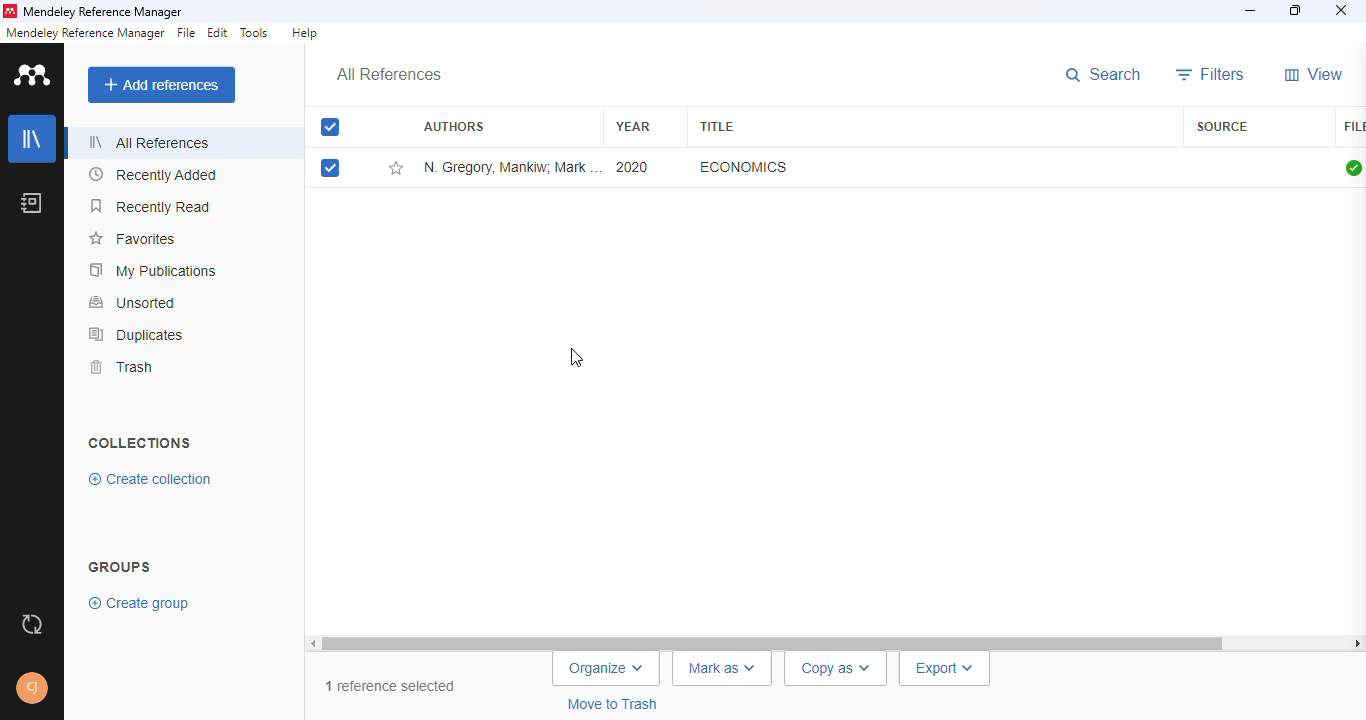 The height and width of the screenshot is (720, 1366). I want to click on organize, so click(606, 668).